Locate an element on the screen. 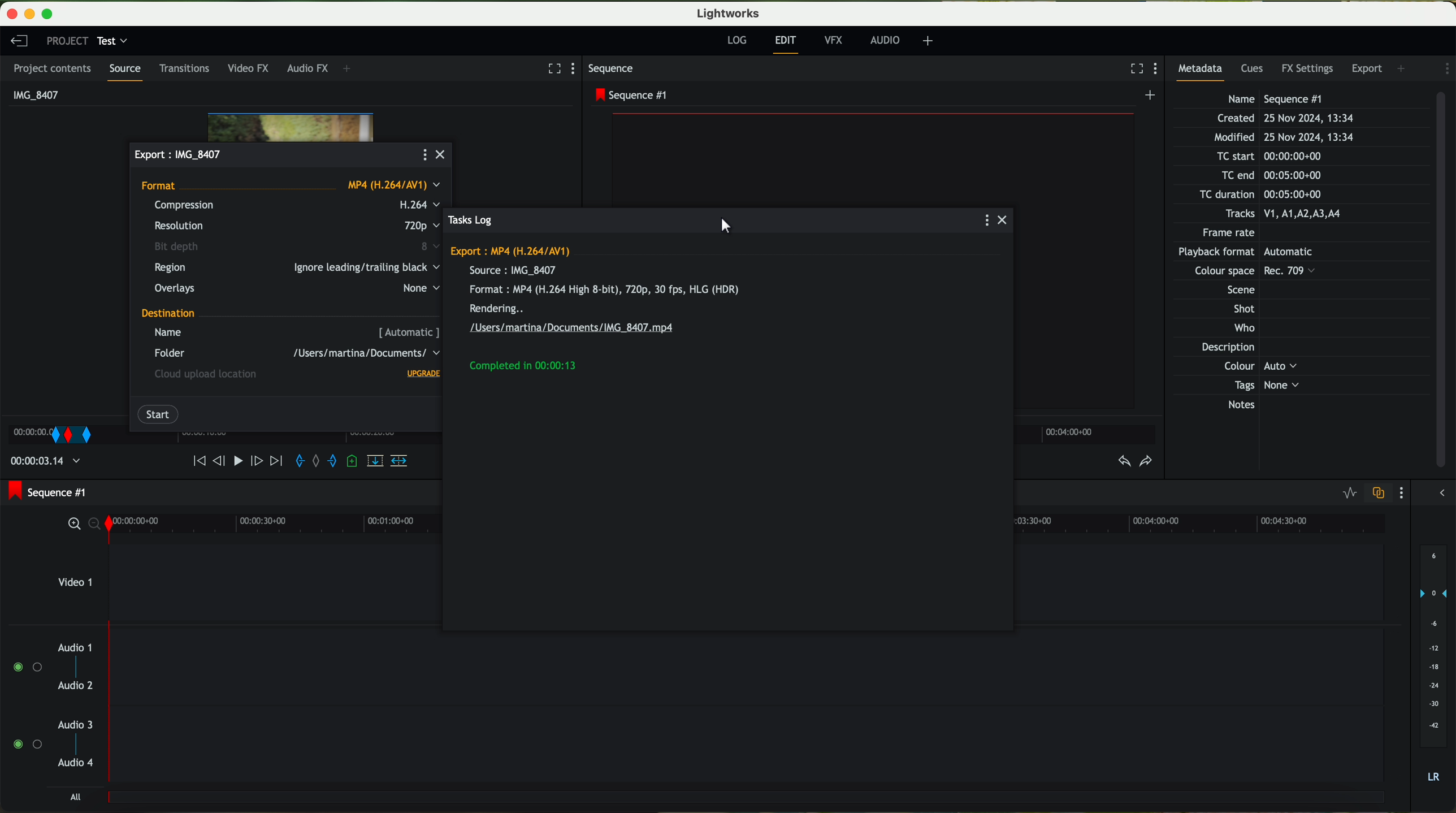 This screenshot has height=813, width=1456. export is located at coordinates (1368, 67).